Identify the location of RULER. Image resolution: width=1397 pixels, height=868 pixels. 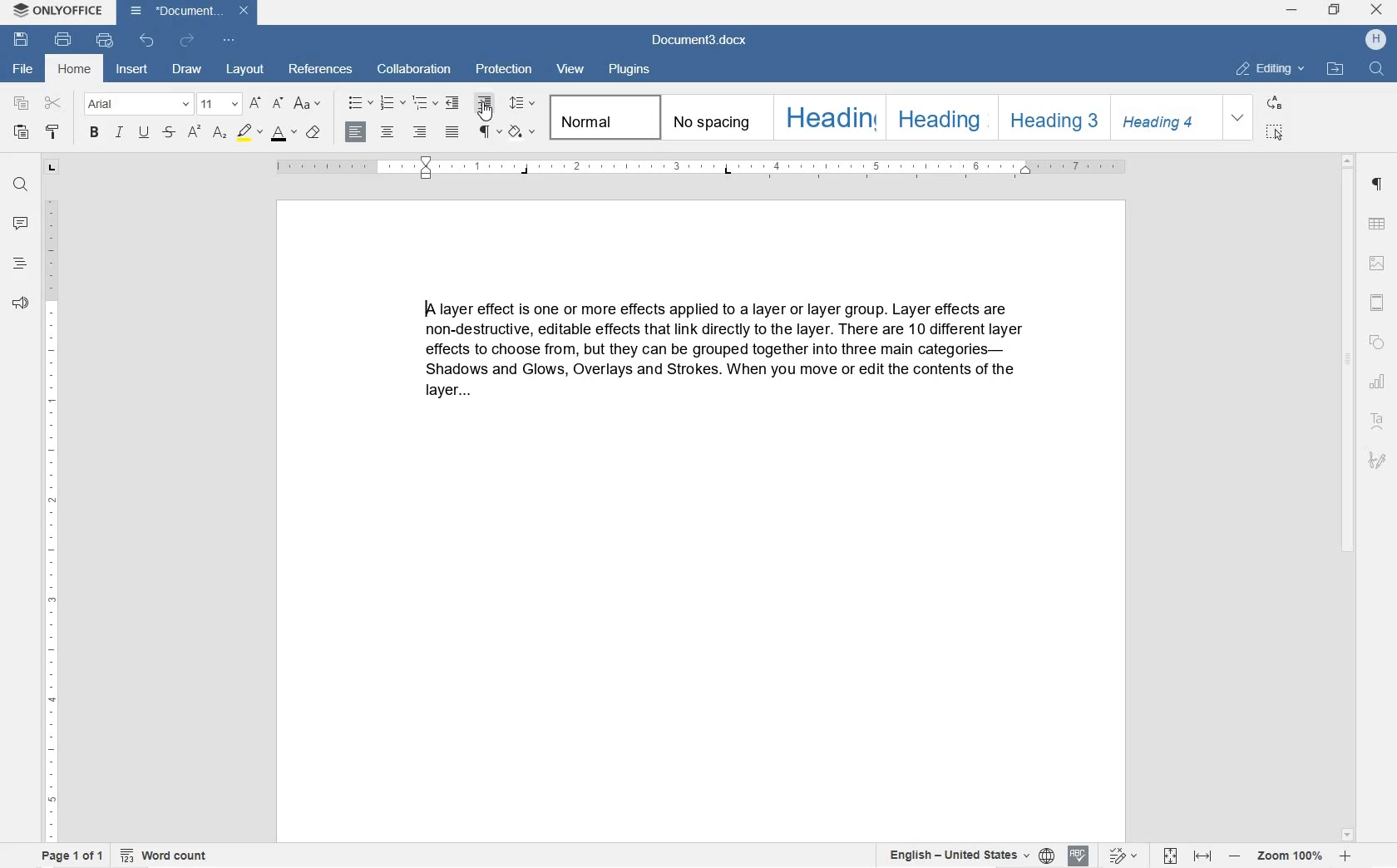
(49, 518).